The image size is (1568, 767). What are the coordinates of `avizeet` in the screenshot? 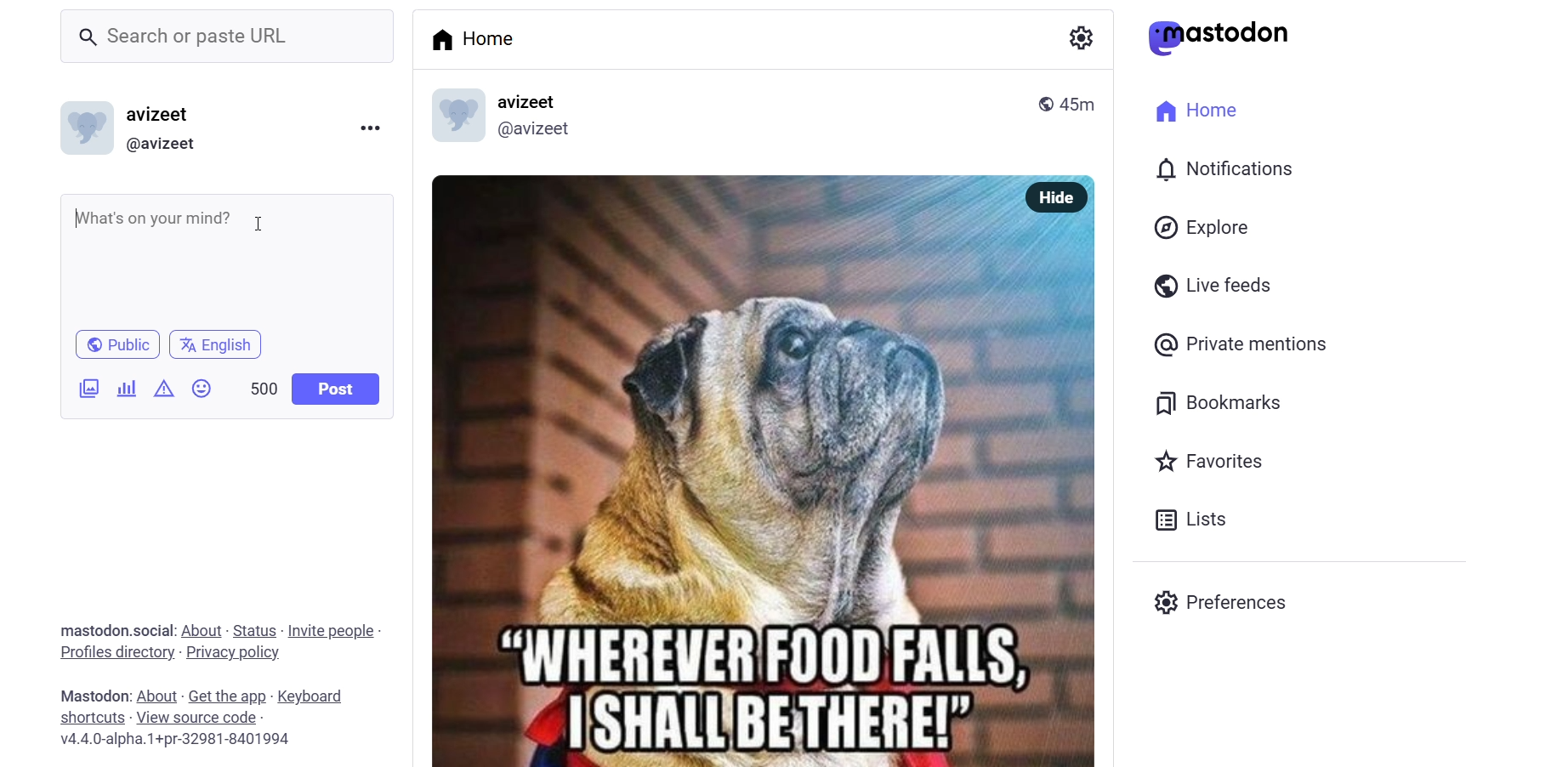 It's located at (184, 116).